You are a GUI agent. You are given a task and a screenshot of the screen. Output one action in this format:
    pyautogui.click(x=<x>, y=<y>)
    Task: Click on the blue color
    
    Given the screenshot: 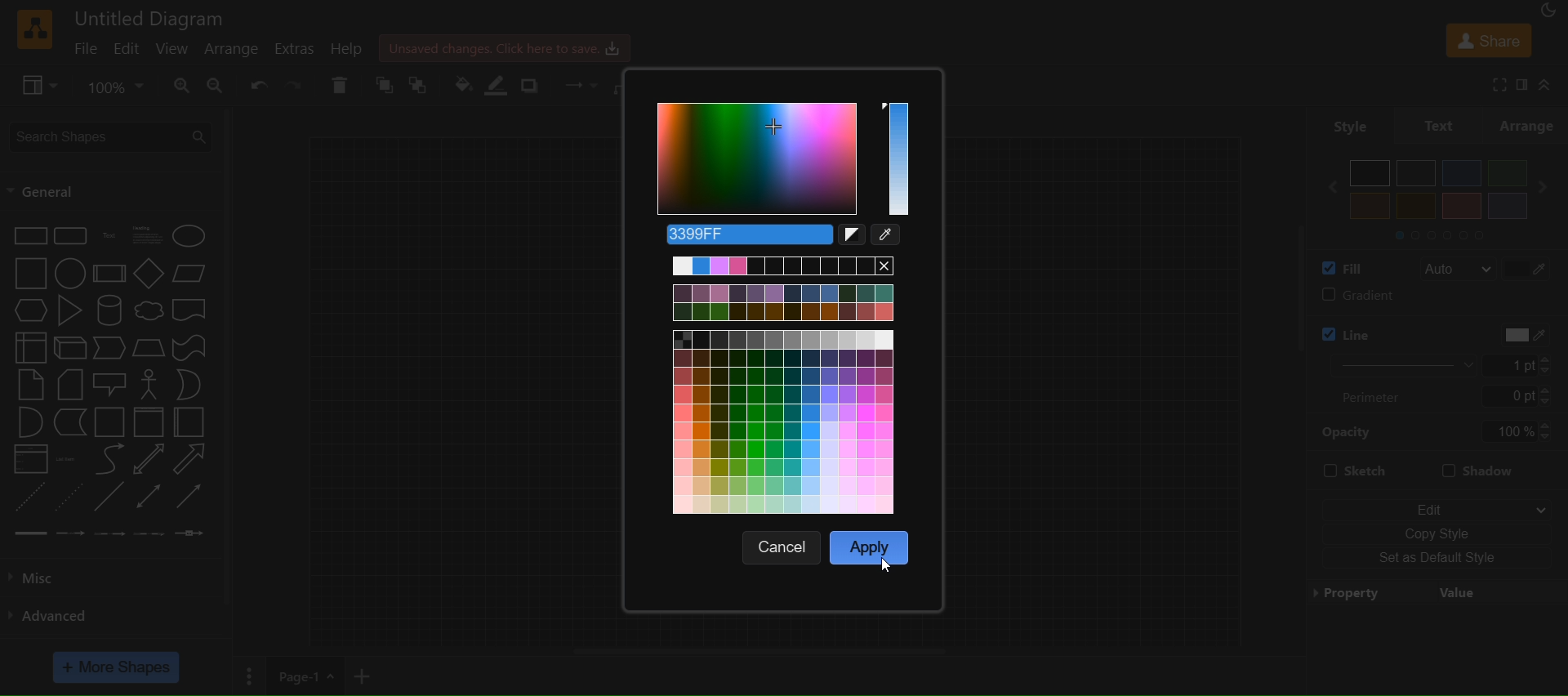 What is the action you would take?
    pyautogui.click(x=1462, y=173)
    